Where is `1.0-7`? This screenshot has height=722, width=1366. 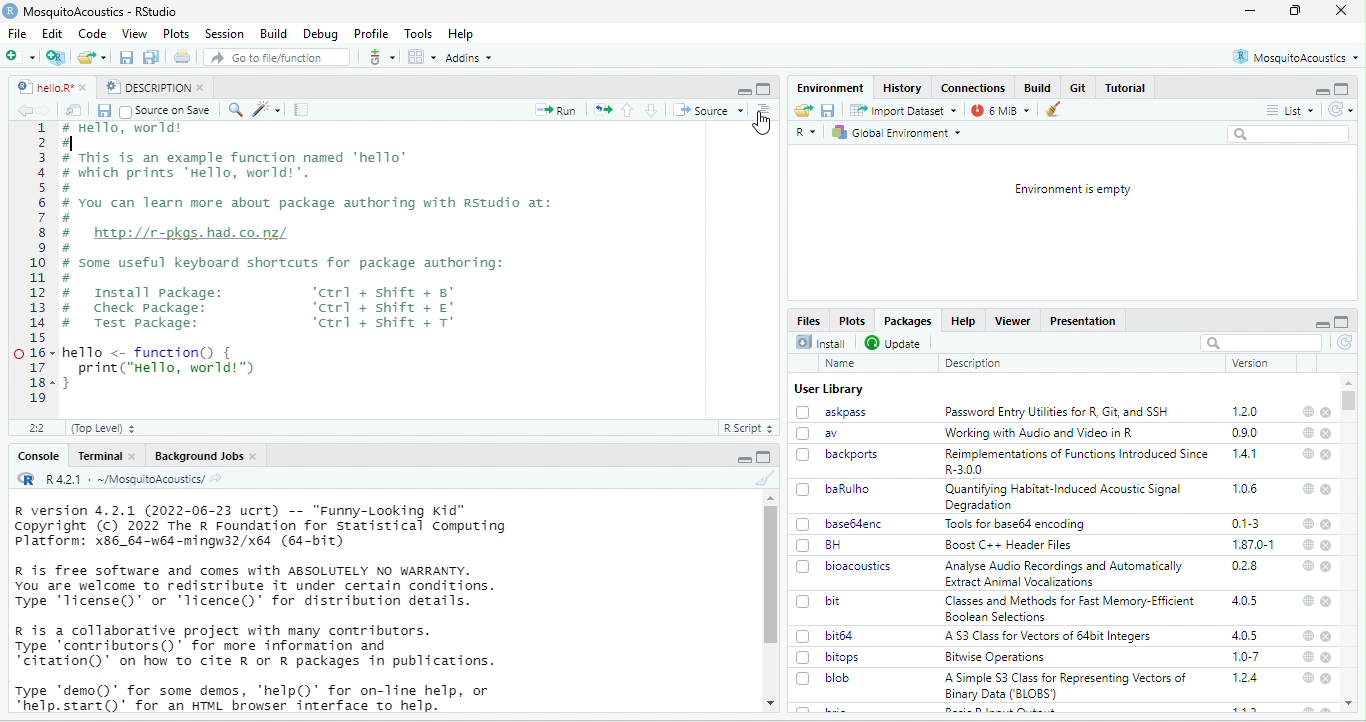 1.0-7 is located at coordinates (1245, 657).